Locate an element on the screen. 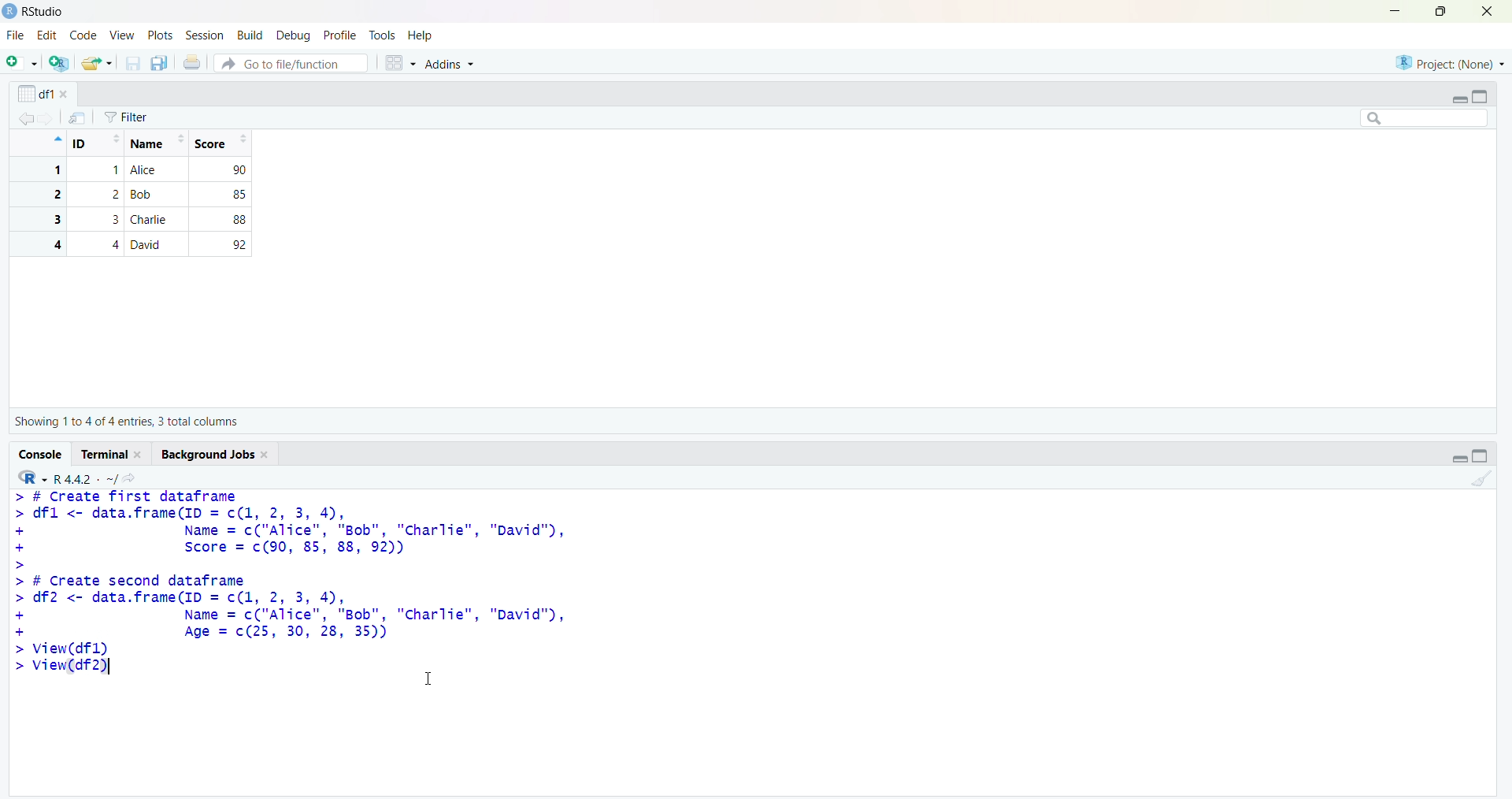 The width and height of the screenshot is (1512, 799). R is located at coordinates (32, 478).